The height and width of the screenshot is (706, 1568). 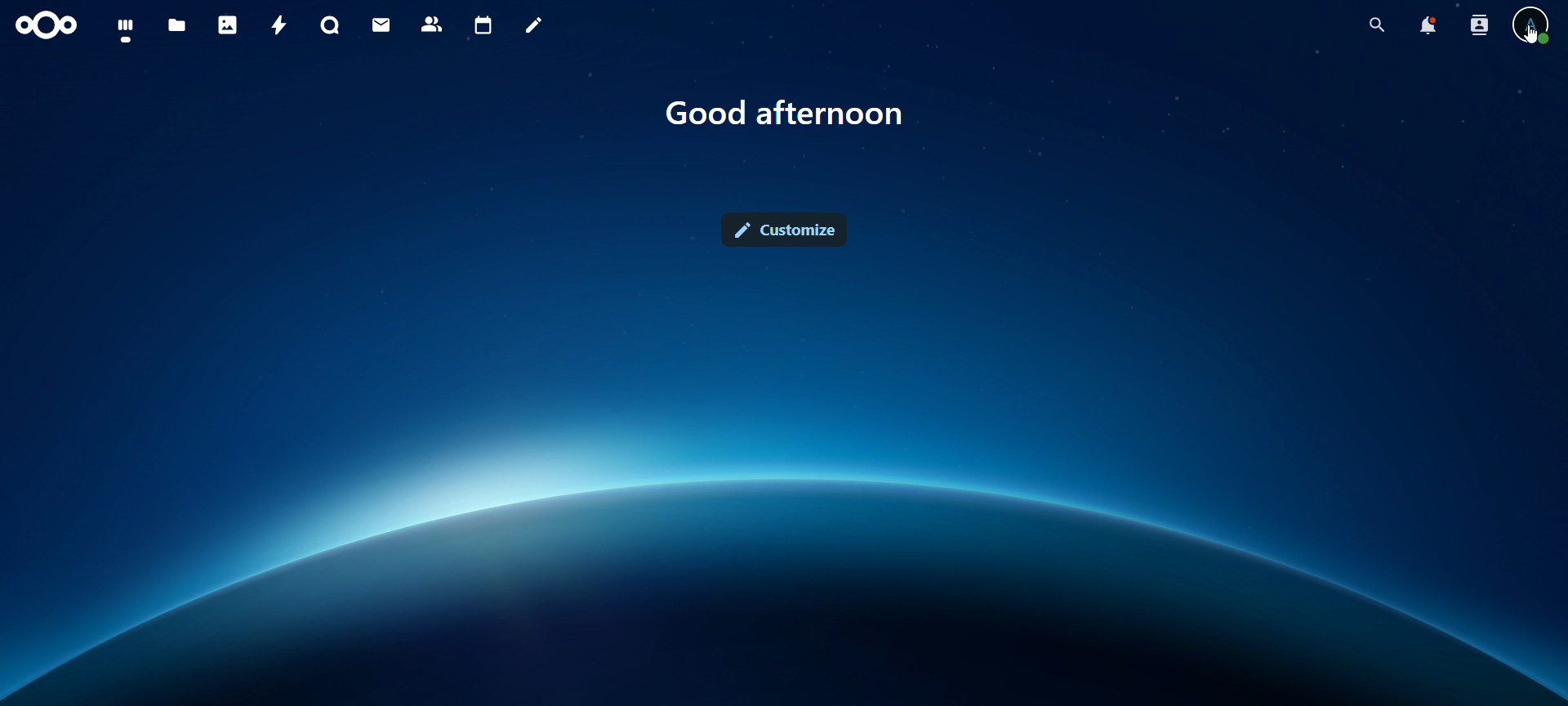 What do you see at coordinates (483, 26) in the screenshot?
I see `calendar` at bounding box center [483, 26].